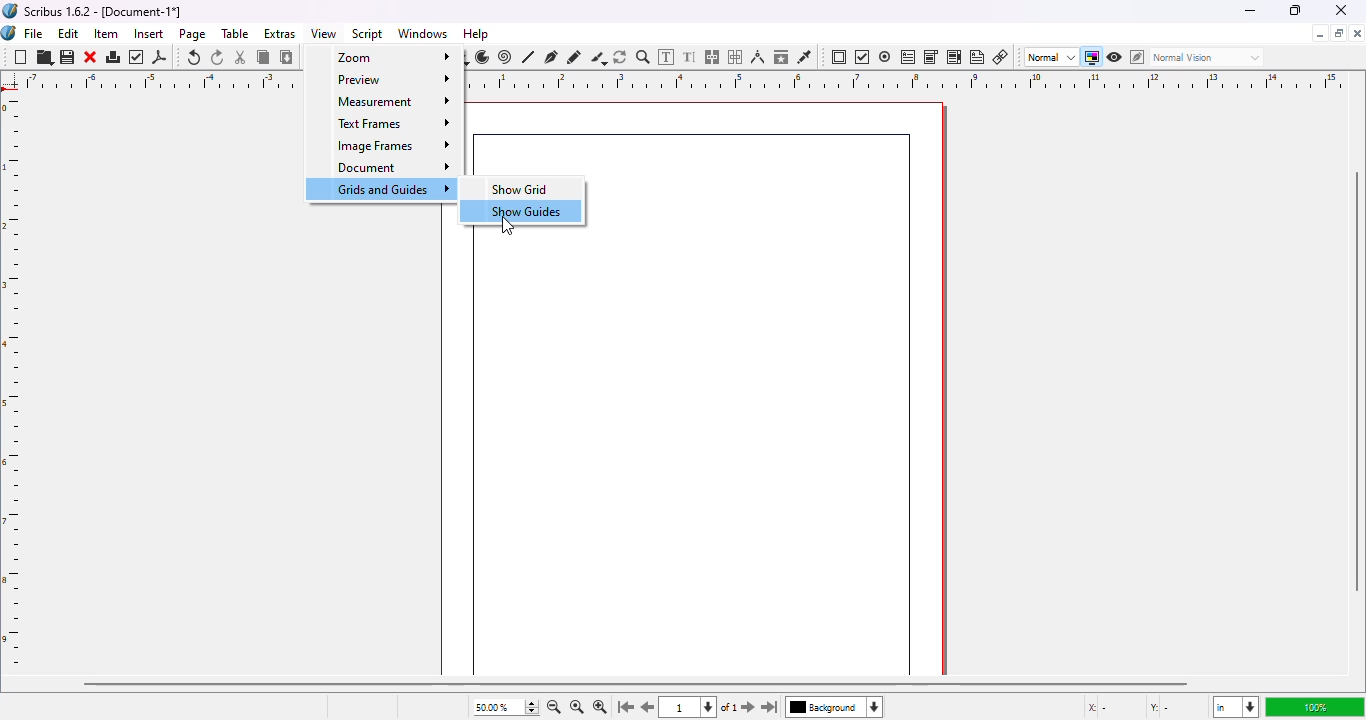  I want to click on paste, so click(287, 57).